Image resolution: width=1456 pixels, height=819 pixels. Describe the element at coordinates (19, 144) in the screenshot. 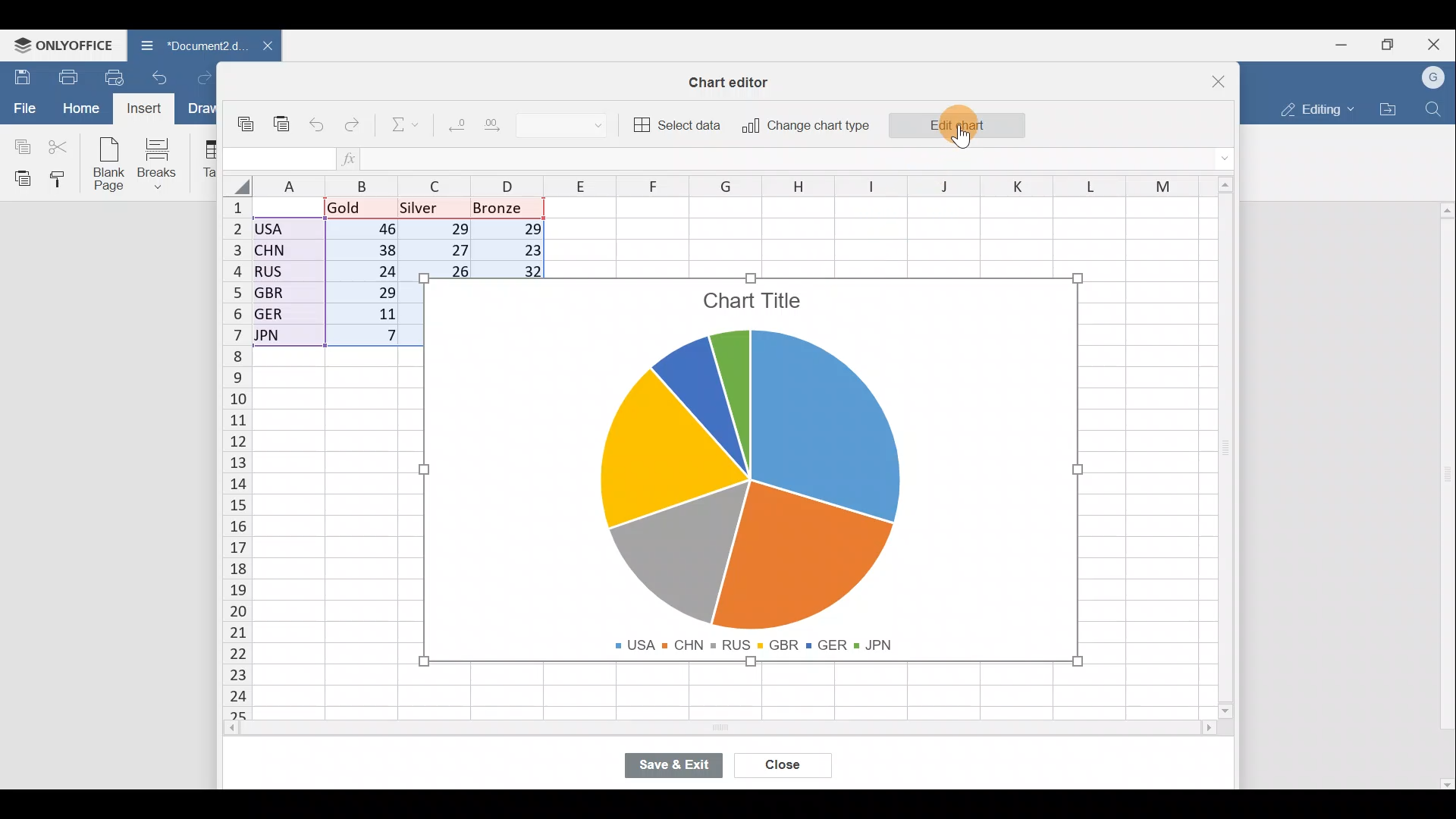

I see `Copy` at that location.